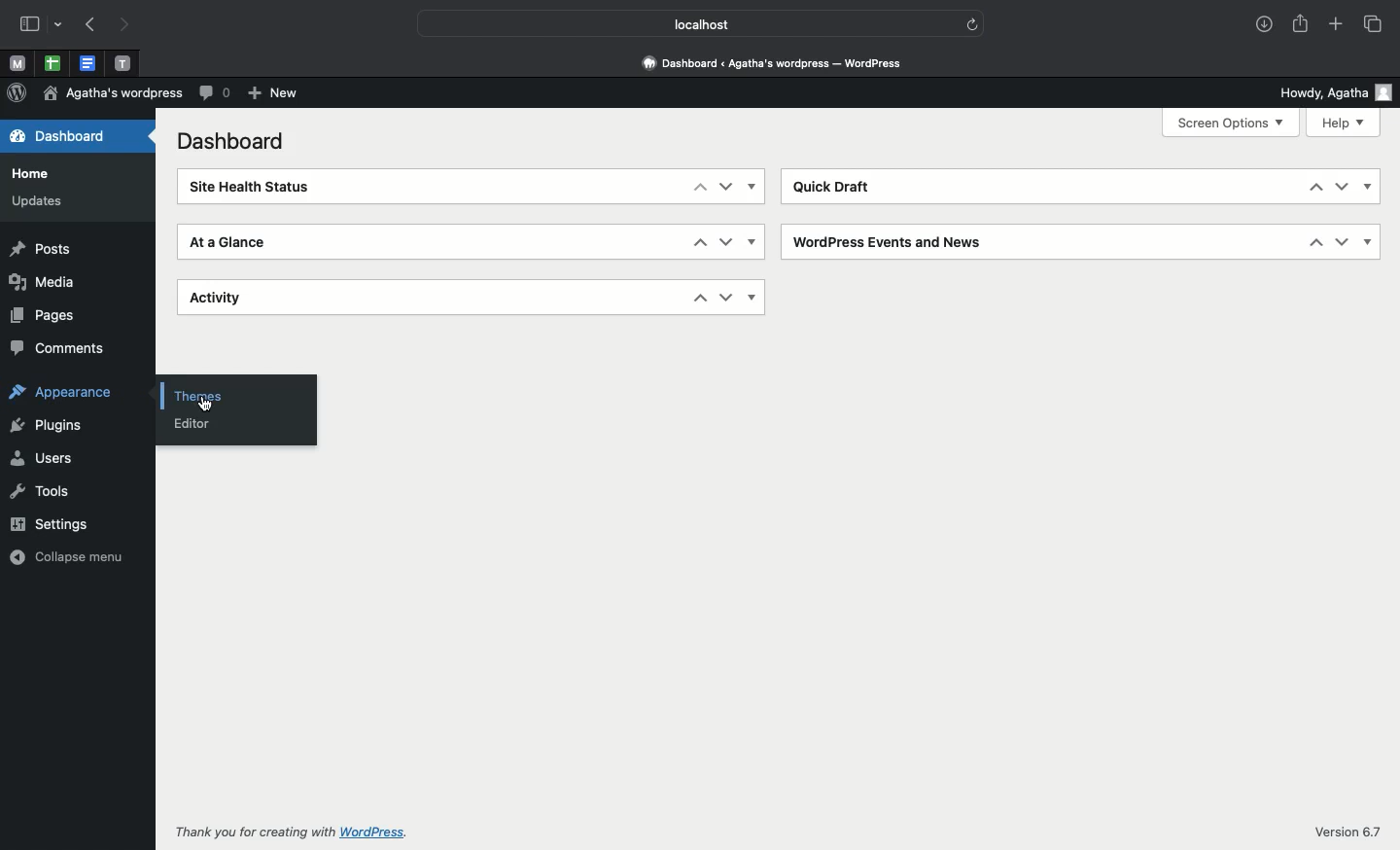 The width and height of the screenshot is (1400, 850). Describe the element at coordinates (61, 25) in the screenshot. I see `drop-down` at that location.